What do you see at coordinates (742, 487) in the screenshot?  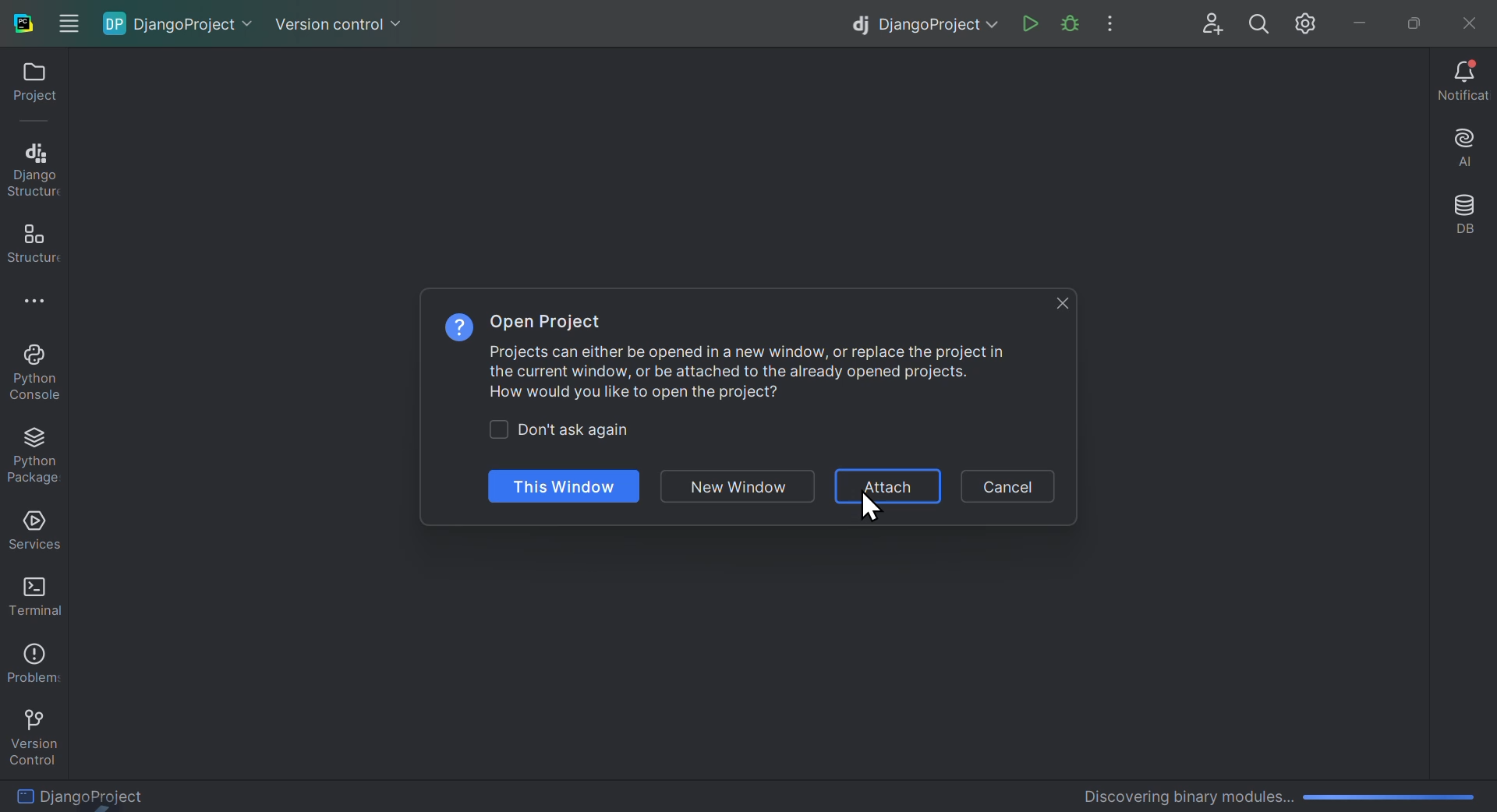 I see `New window` at bounding box center [742, 487].